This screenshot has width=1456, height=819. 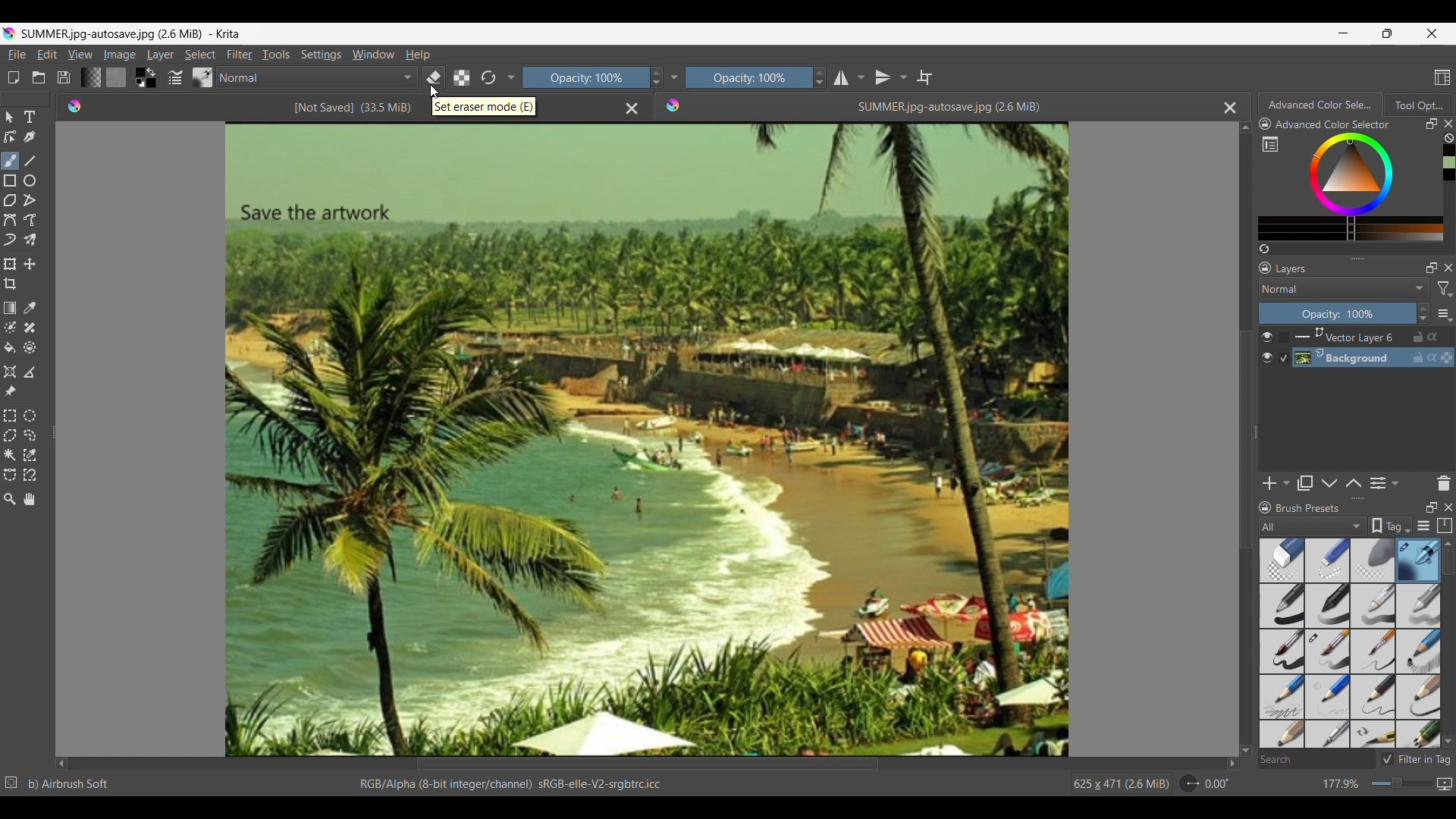 What do you see at coordinates (10, 181) in the screenshot?
I see `Rectangle tool` at bounding box center [10, 181].